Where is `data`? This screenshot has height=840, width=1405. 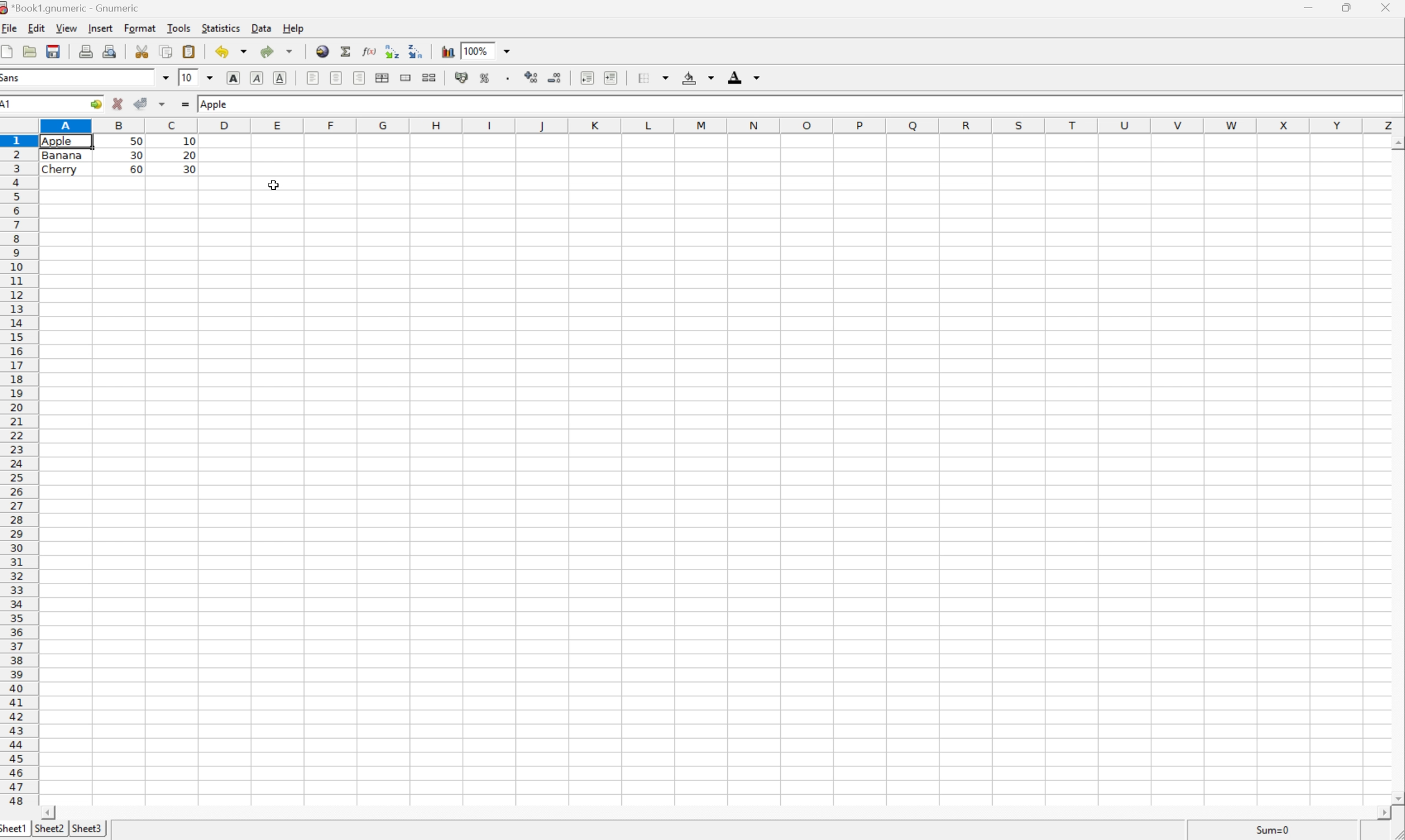
data is located at coordinates (263, 27).